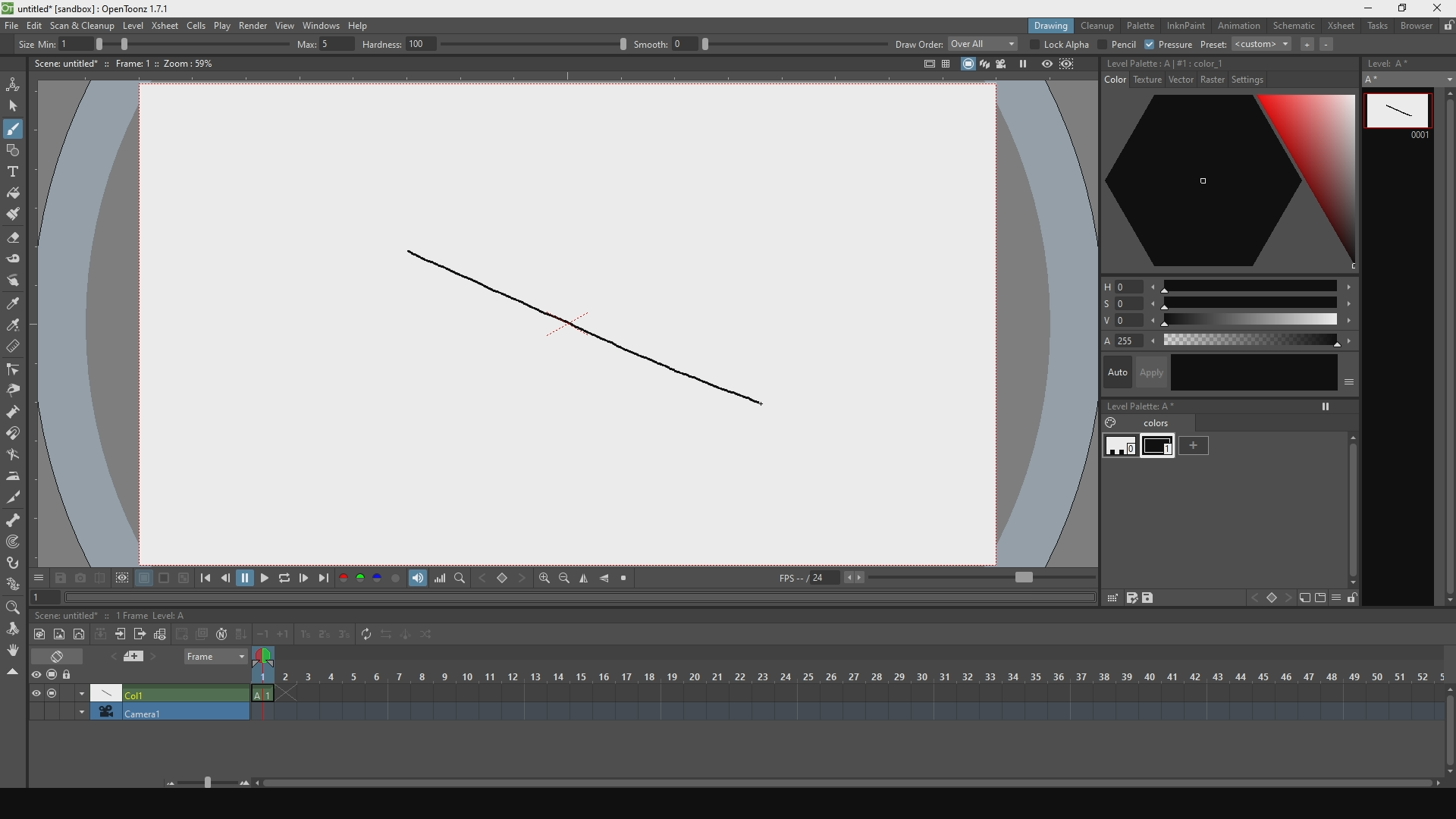 This screenshot has height=819, width=1456. Describe the element at coordinates (1003, 64) in the screenshot. I see `camera` at that location.